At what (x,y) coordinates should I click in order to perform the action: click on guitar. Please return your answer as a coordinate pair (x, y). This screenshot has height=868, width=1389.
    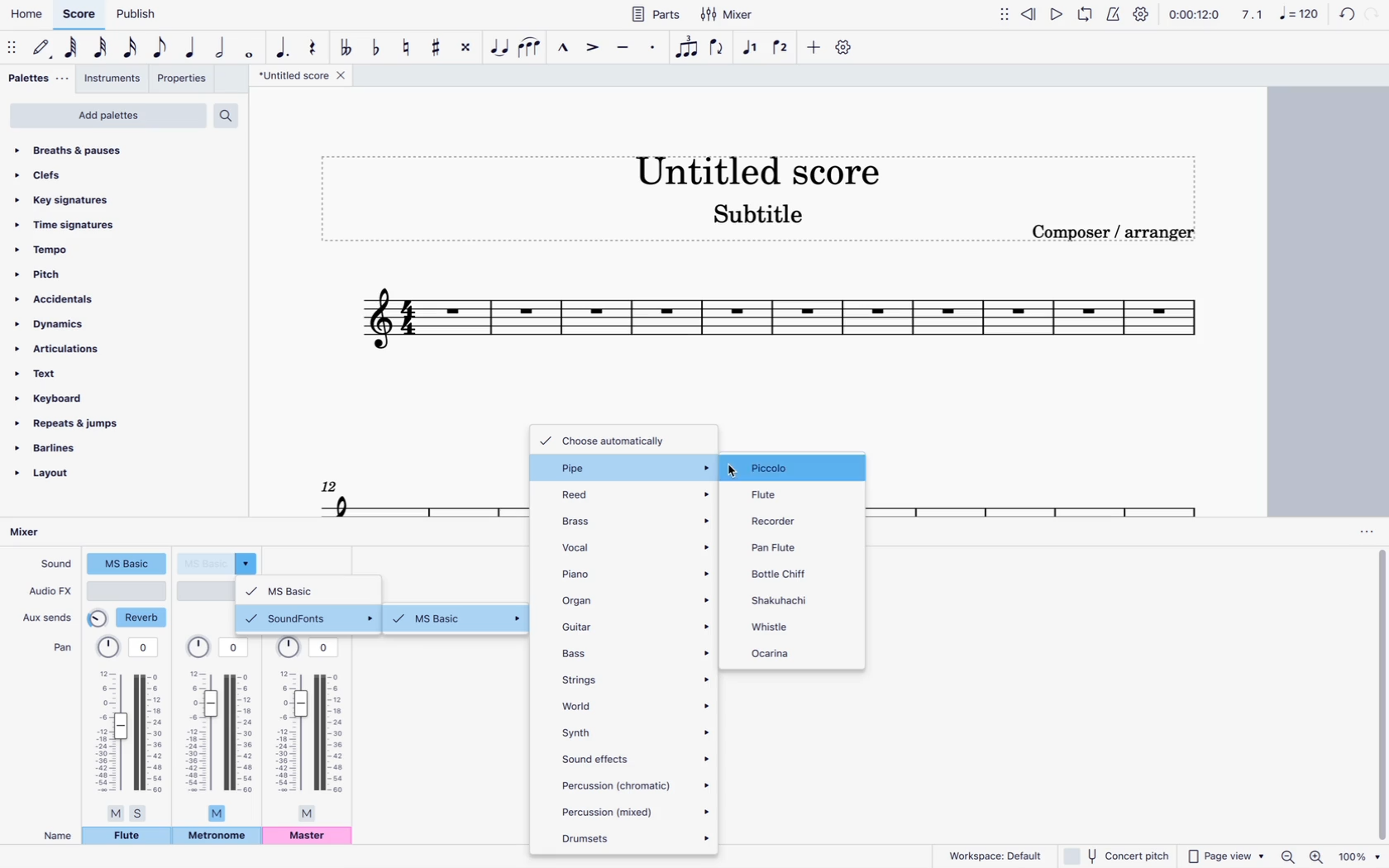
    Looking at the image, I should click on (636, 624).